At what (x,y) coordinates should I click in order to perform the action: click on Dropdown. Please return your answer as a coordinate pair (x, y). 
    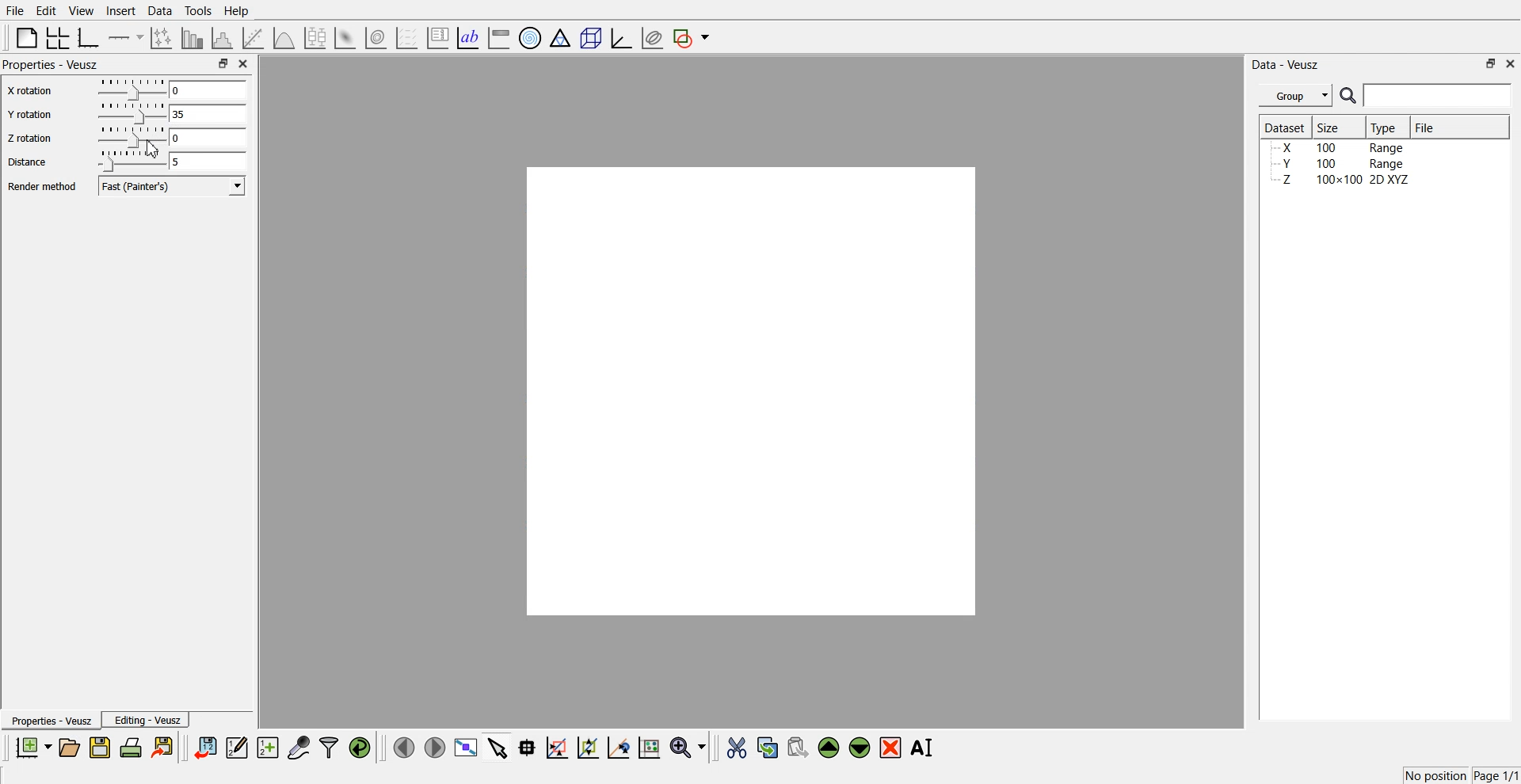
    Looking at the image, I should click on (238, 185).